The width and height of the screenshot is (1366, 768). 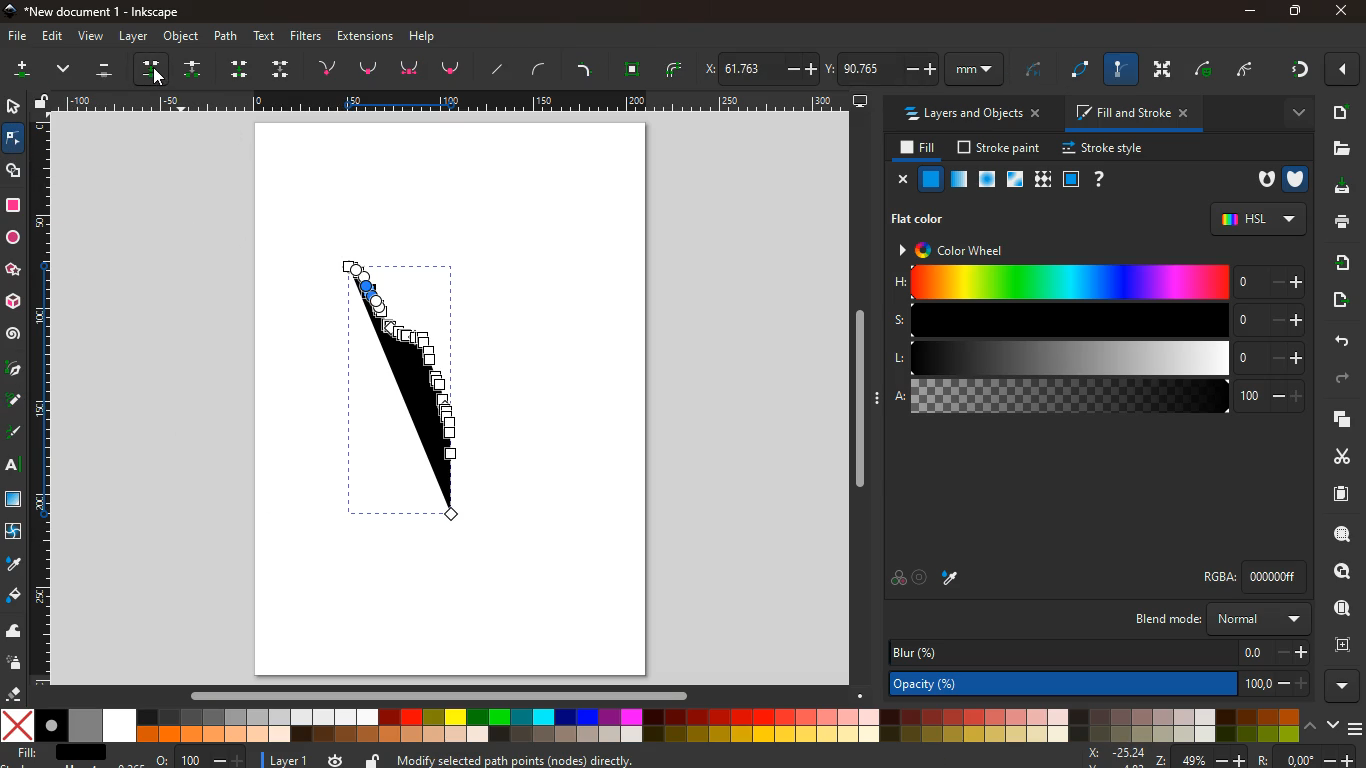 What do you see at coordinates (1099, 653) in the screenshot?
I see `blur` at bounding box center [1099, 653].